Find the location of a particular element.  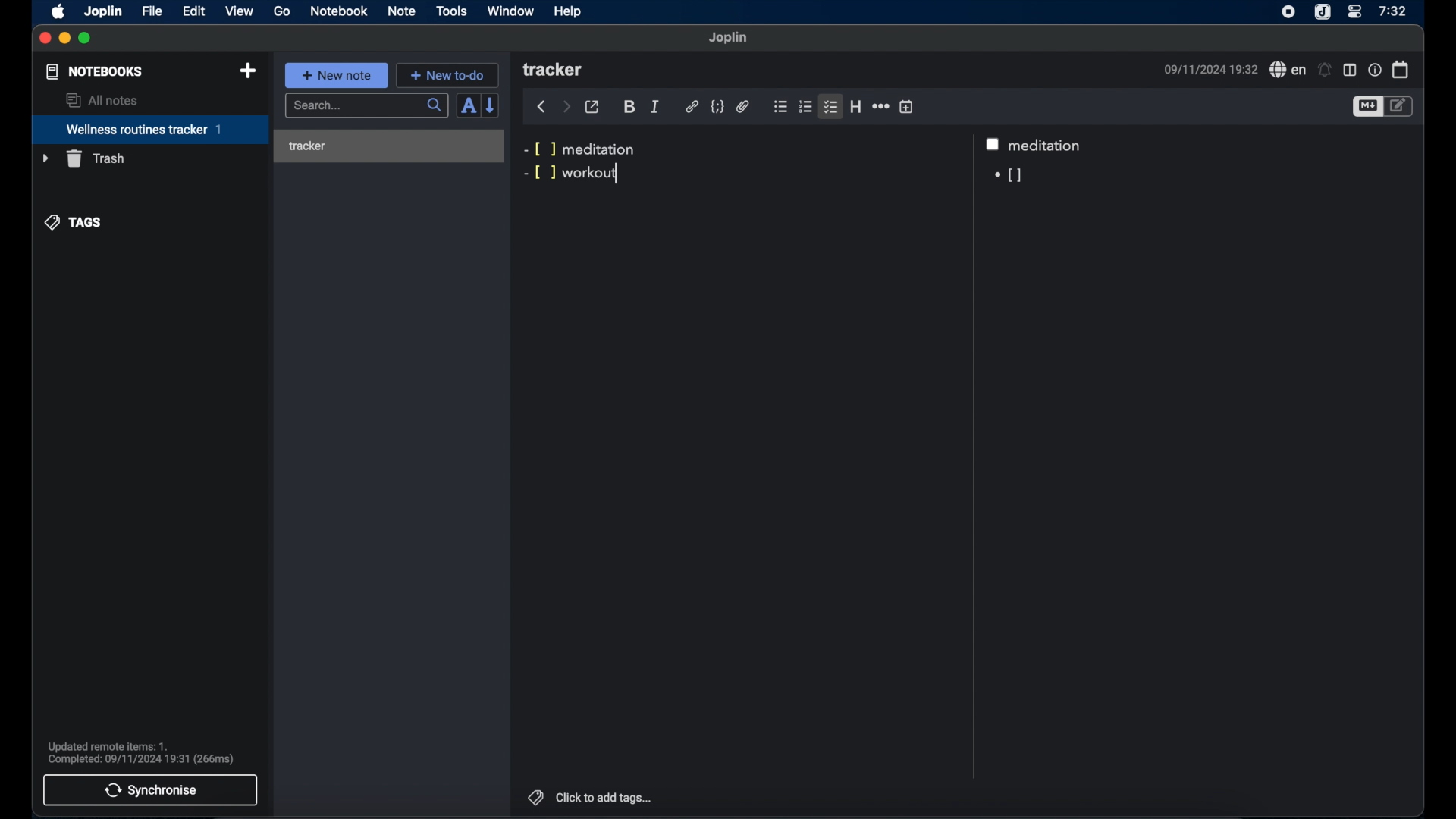

control center is located at coordinates (1355, 12).